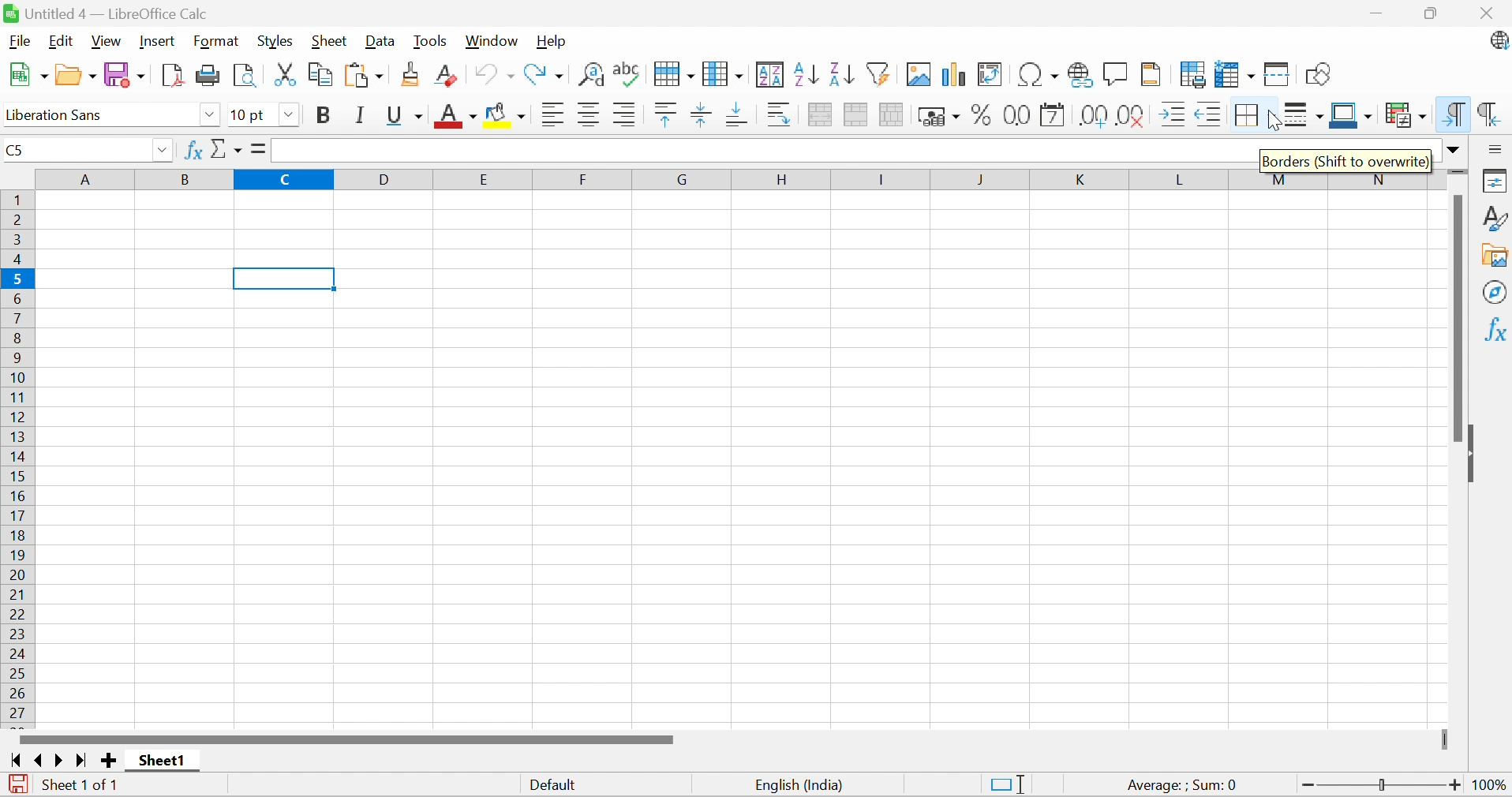  I want to click on Insert comment, so click(1116, 75).